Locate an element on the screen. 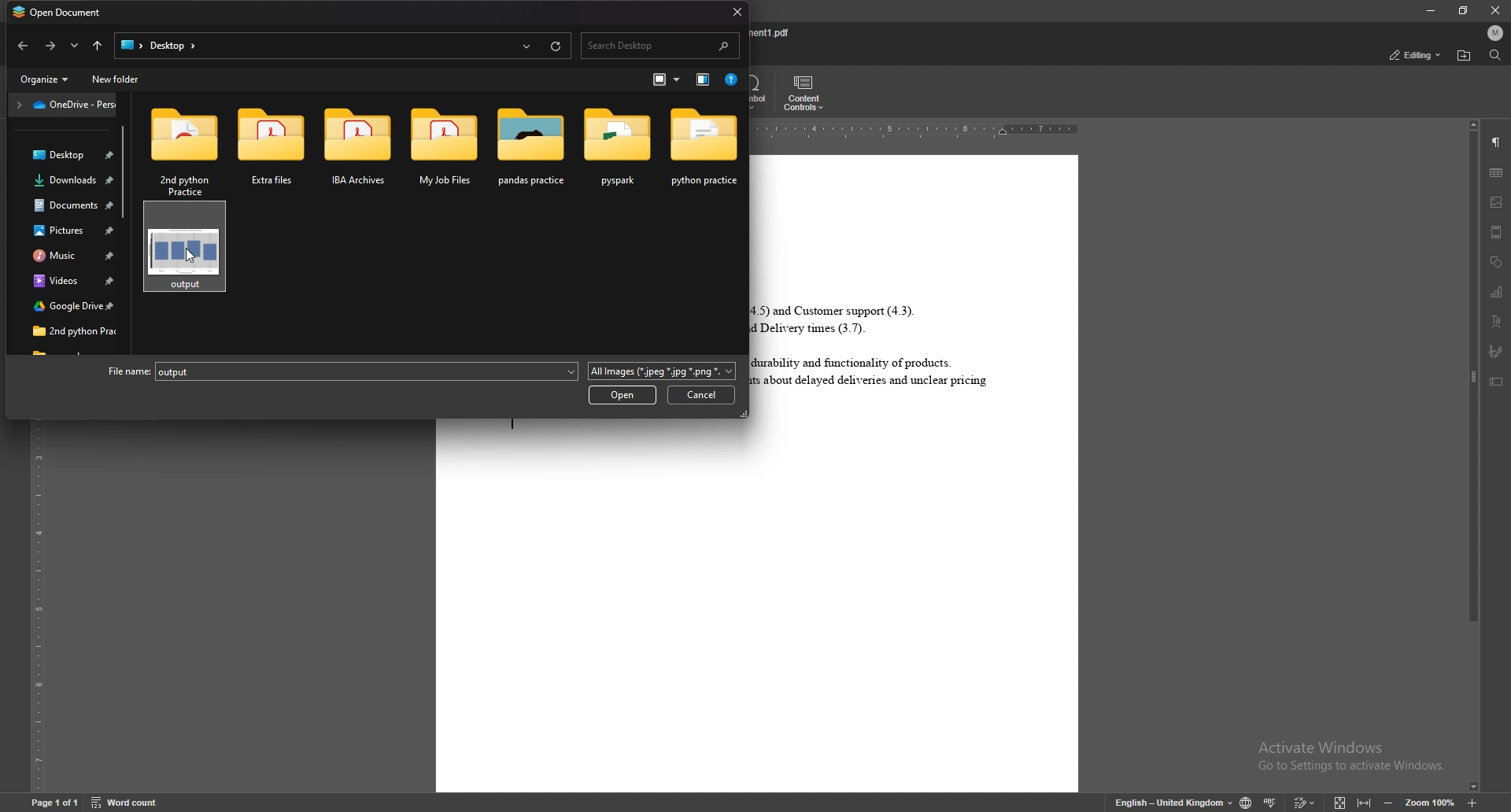  cancel is located at coordinates (702, 396).